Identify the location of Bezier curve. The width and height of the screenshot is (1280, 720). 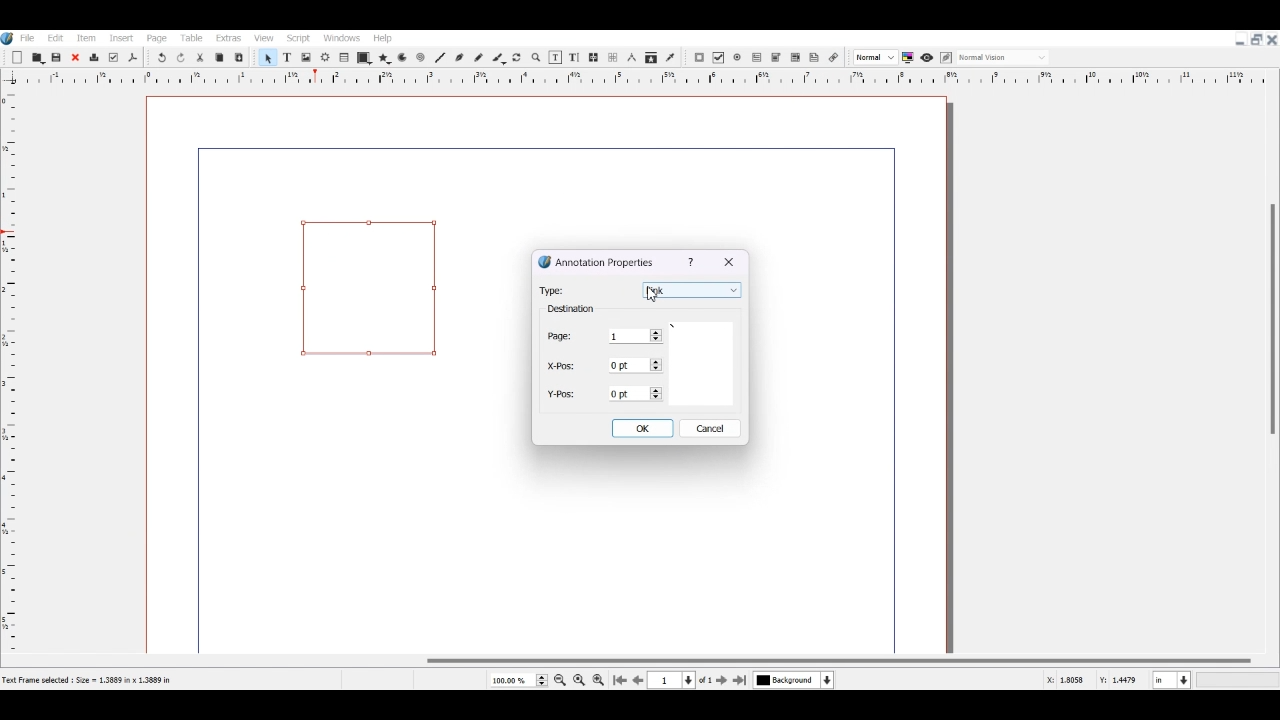
(459, 57).